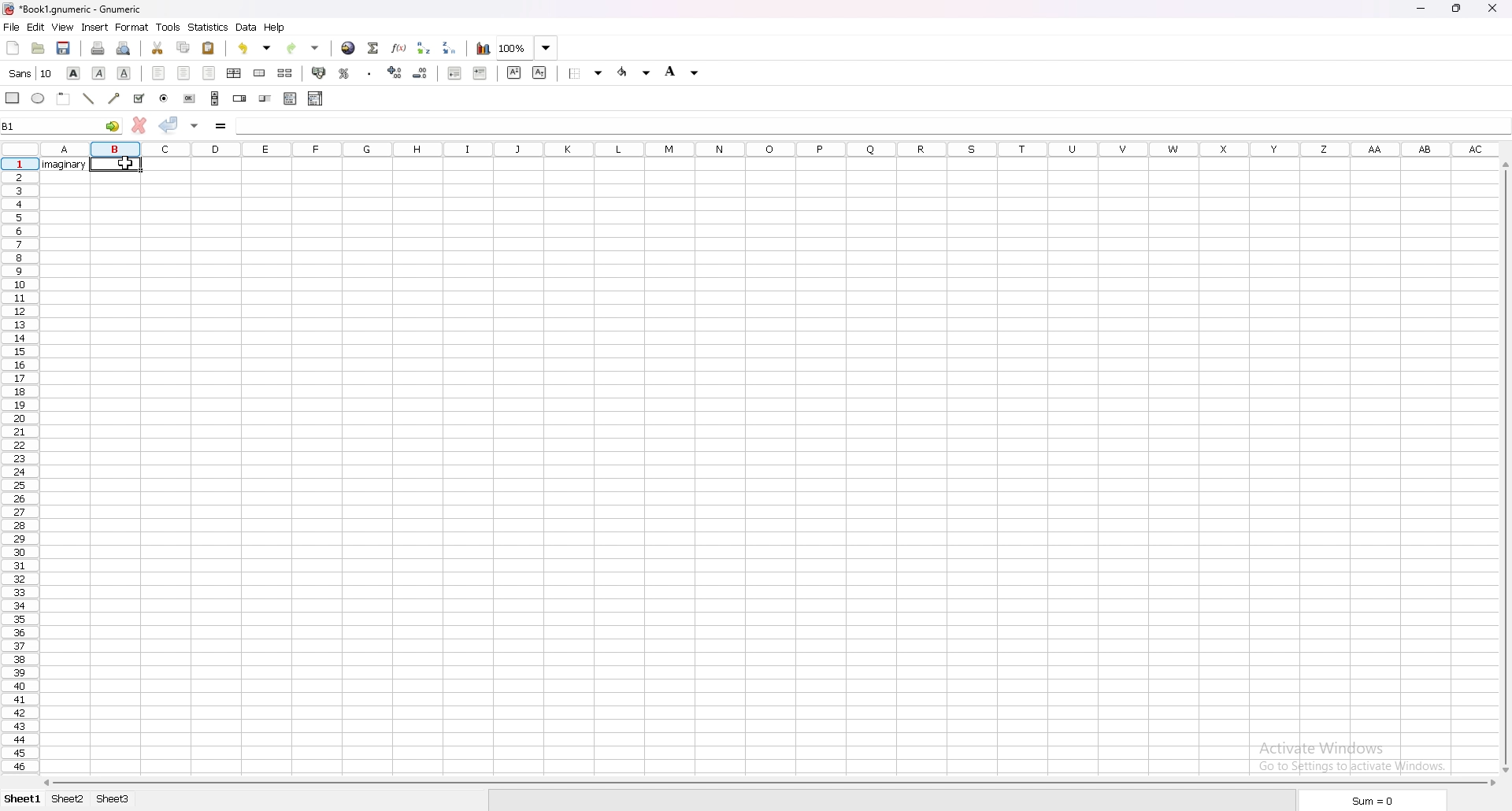  What do you see at coordinates (275, 28) in the screenshot?
I see `help` at bounding box center [275, 28].